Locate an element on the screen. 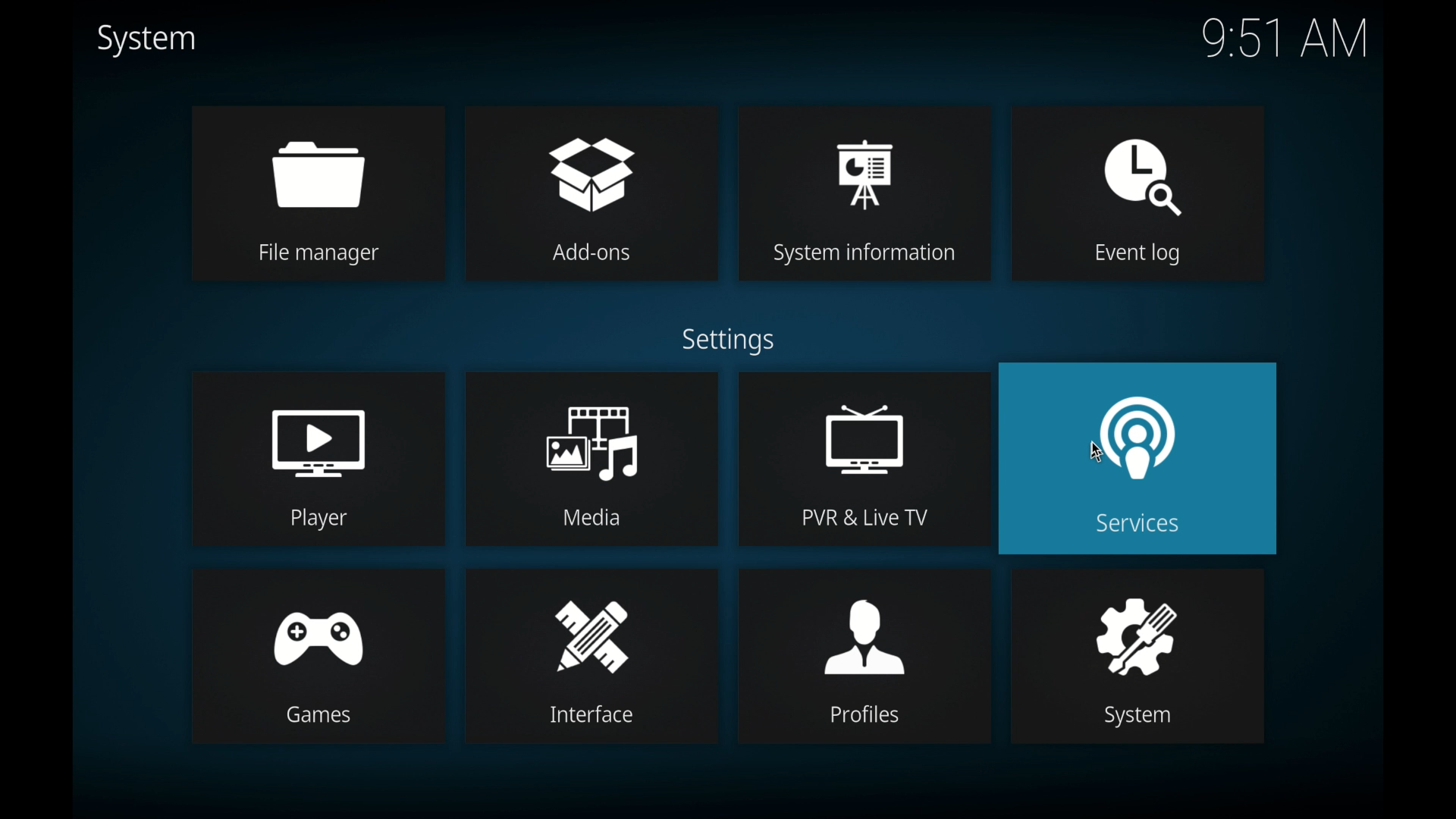  system is located at coordinates (1137, 656).